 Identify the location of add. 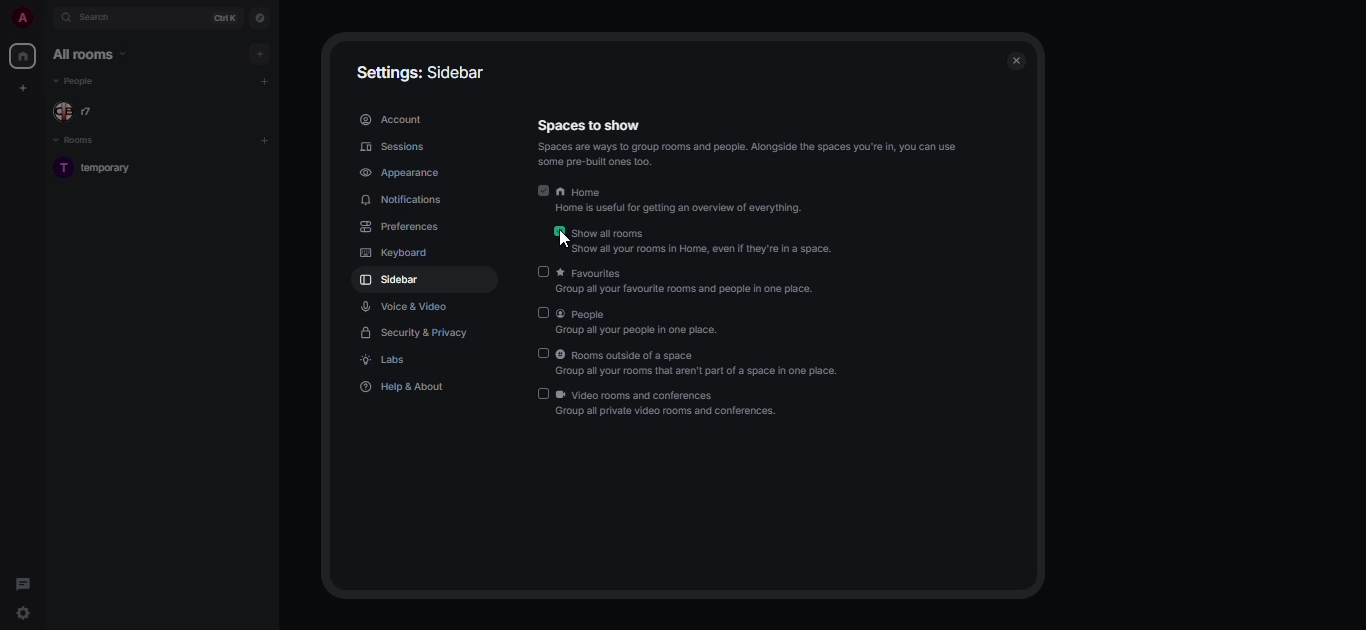
(258, 54).